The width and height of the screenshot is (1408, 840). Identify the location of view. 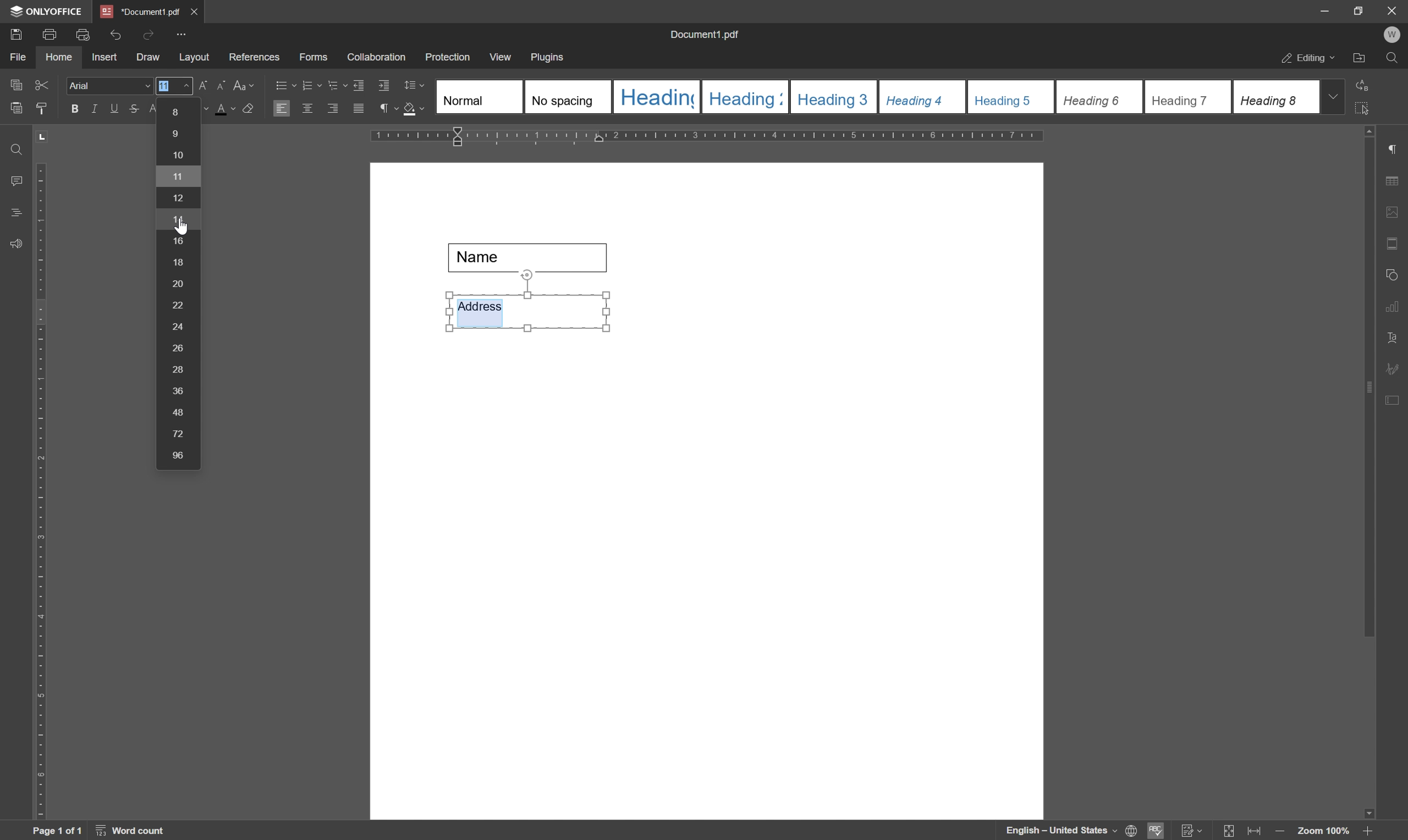
(502, 57).